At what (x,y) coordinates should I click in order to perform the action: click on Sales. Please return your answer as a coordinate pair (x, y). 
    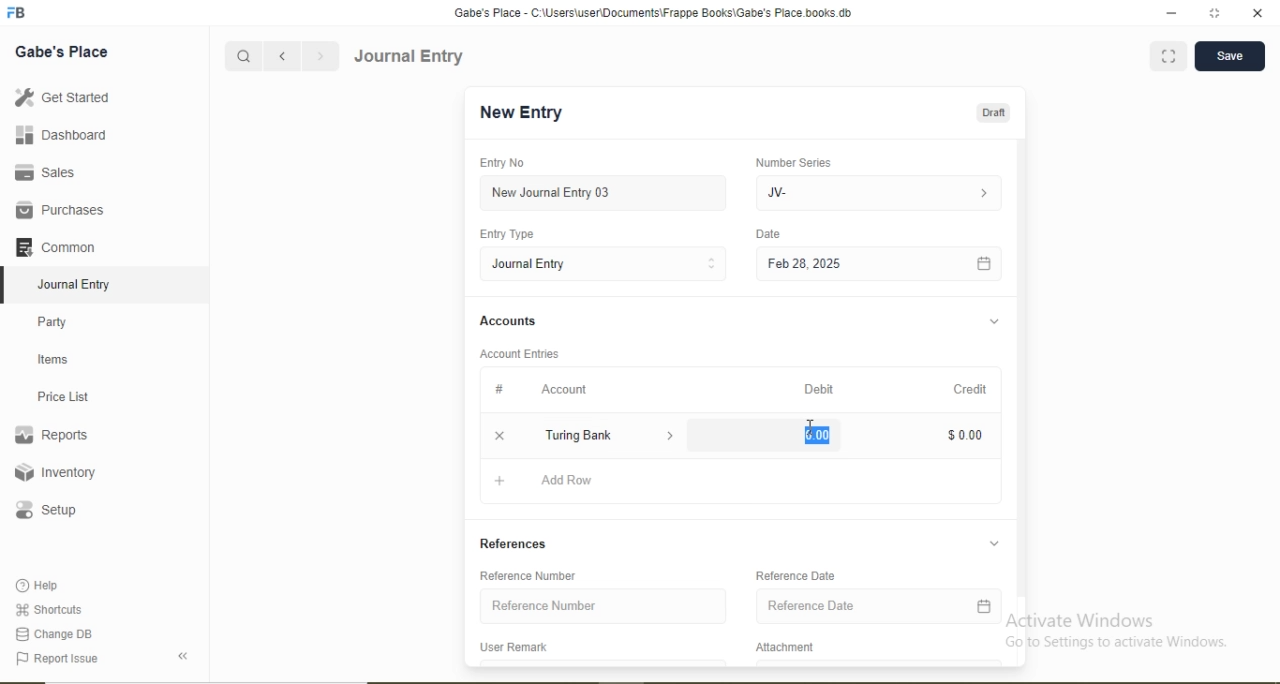
    Looking at the image, I should click on (42, 172).